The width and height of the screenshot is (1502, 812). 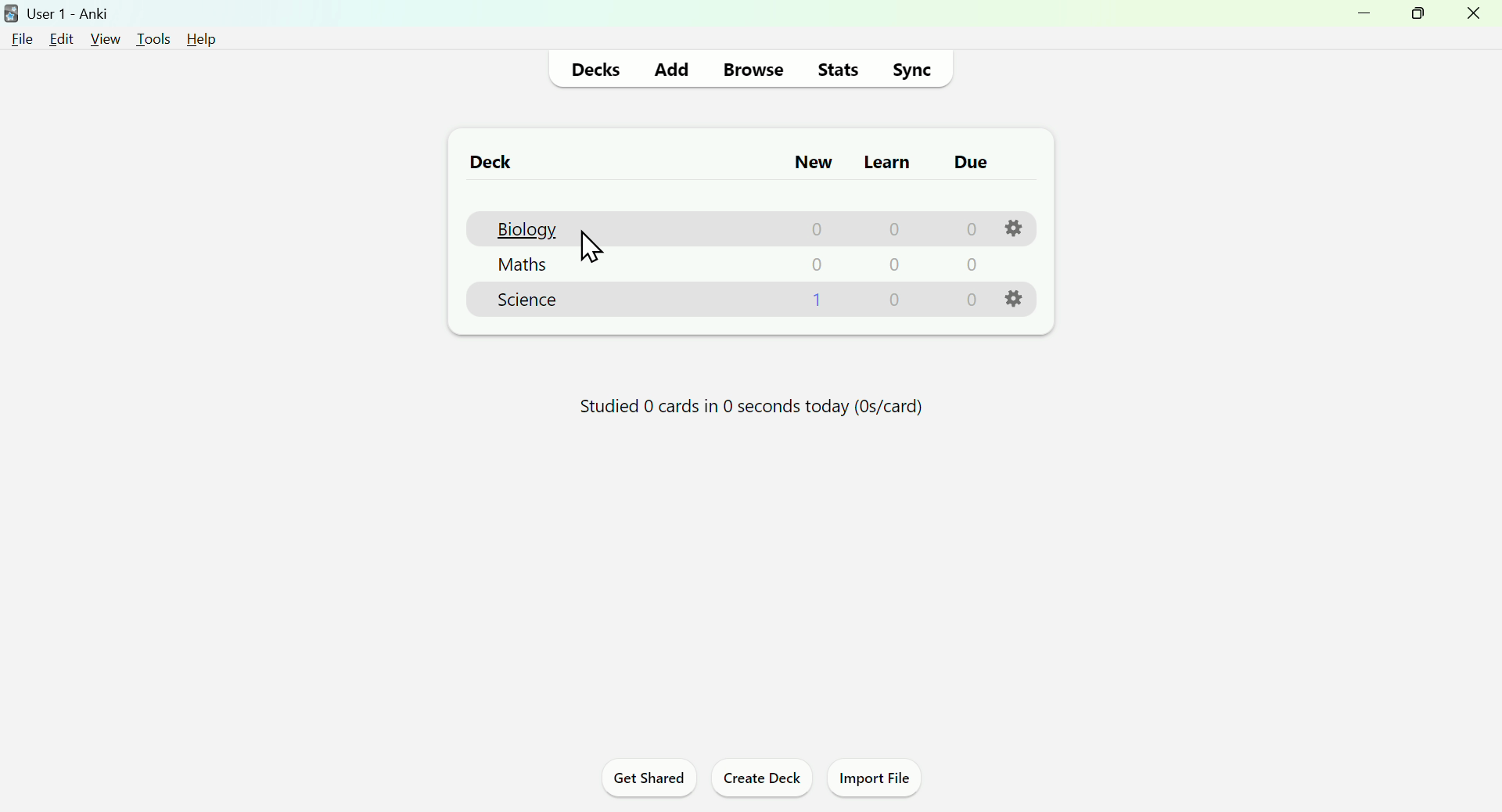 What do you see at coordinates (749, 71) in the screenshot?
I see `Browse` at bounding box center [749, 71].